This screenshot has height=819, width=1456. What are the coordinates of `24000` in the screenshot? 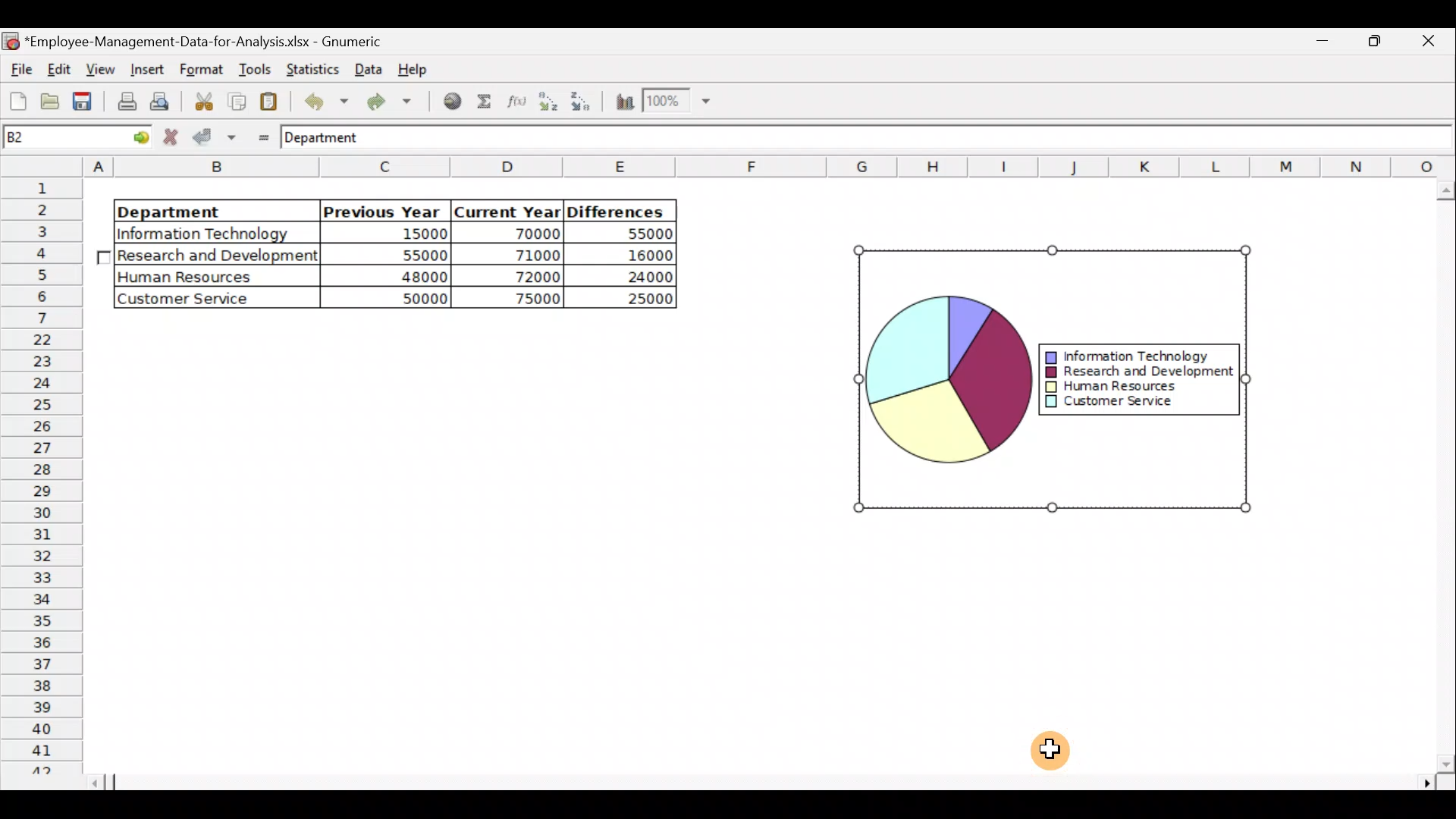 It's located at (633, 275).